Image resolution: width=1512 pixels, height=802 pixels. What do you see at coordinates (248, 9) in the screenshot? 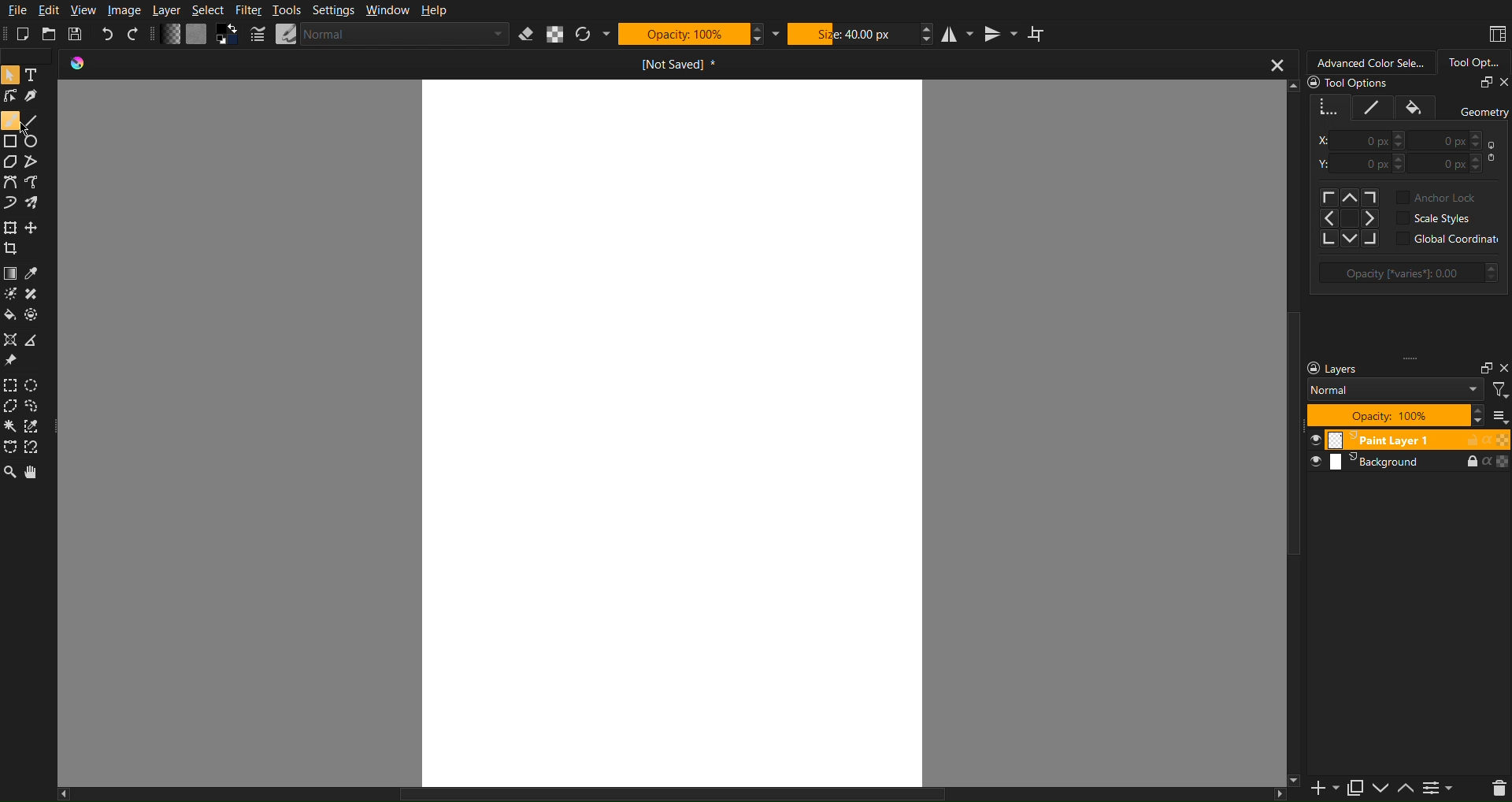
I see `Filter` at bounding box center [248, 9].